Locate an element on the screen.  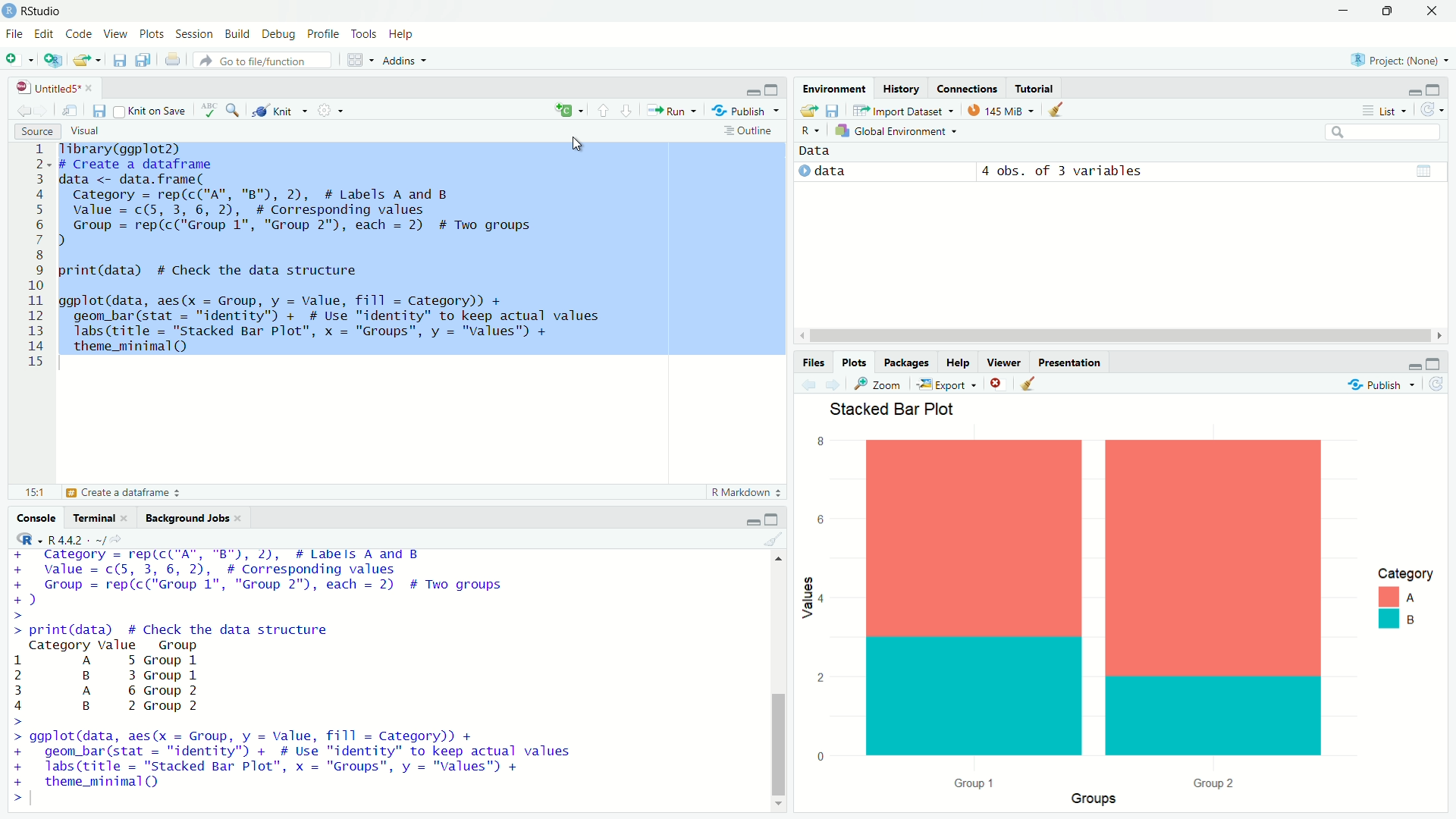
Debug is located at coordinates (278, 33).